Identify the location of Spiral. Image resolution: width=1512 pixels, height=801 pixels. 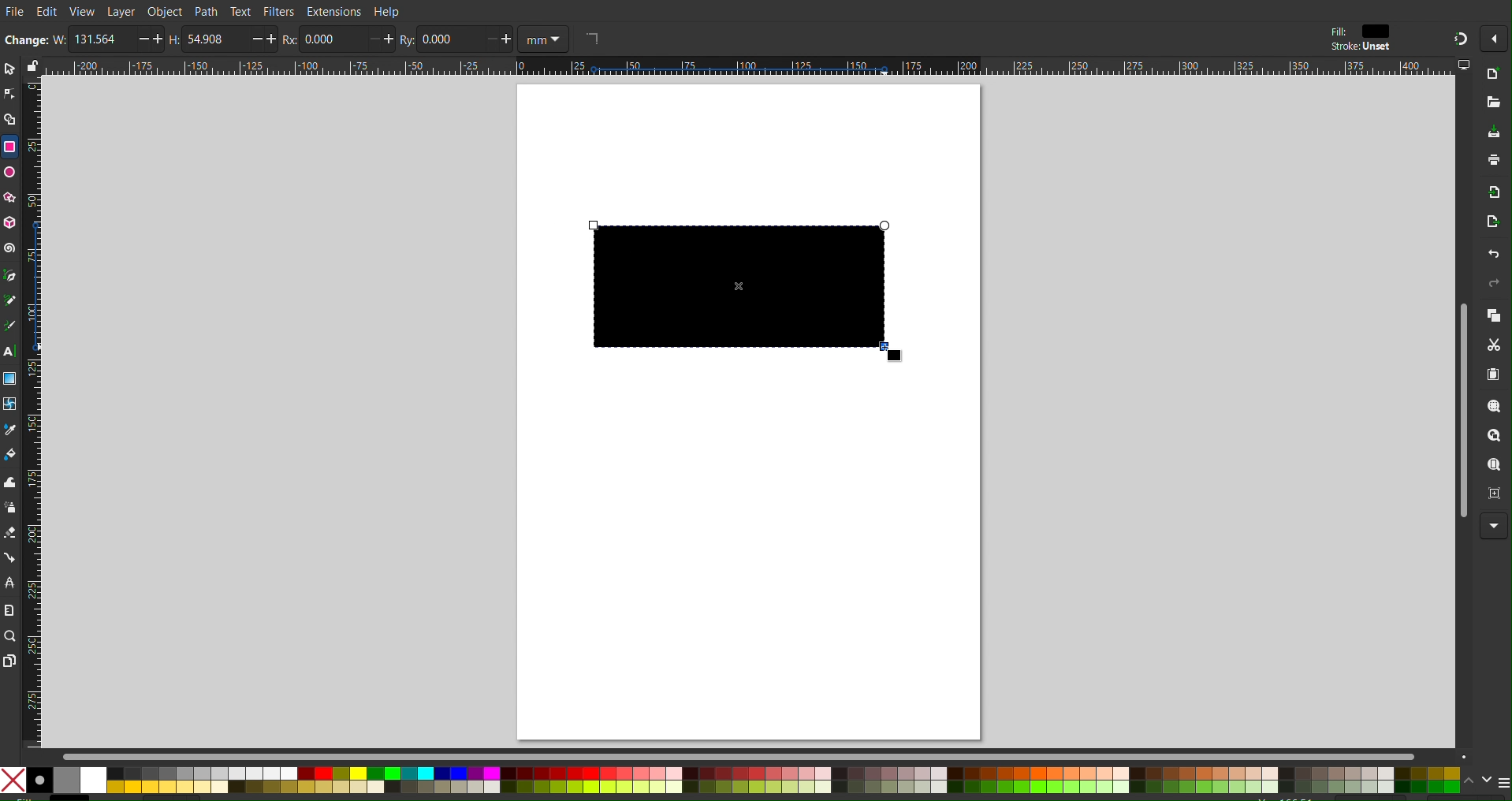
(9, 248).